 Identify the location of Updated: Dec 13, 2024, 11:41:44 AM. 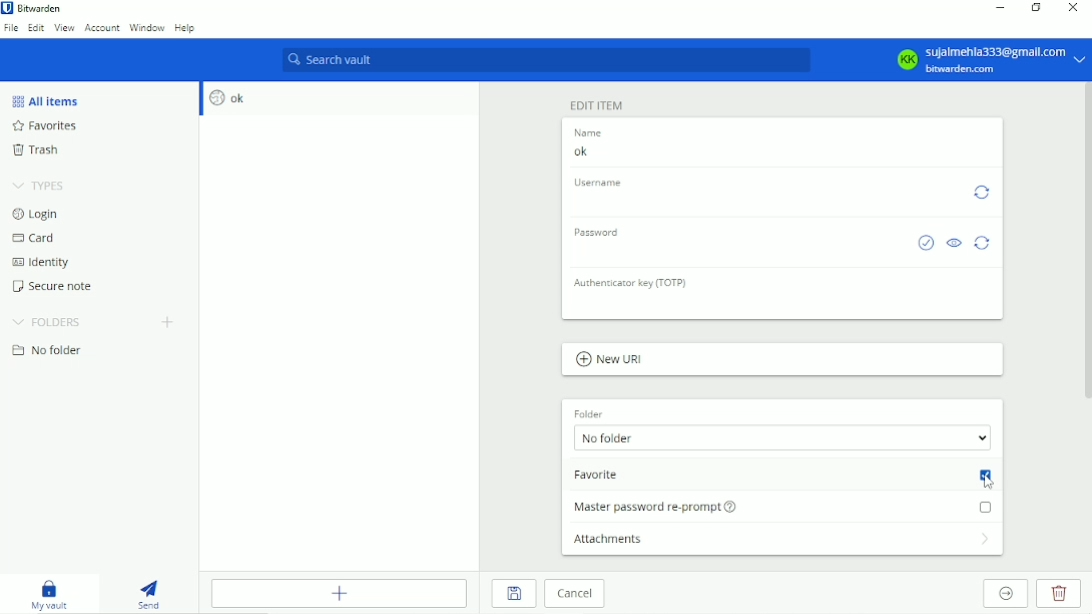
(765, 197).